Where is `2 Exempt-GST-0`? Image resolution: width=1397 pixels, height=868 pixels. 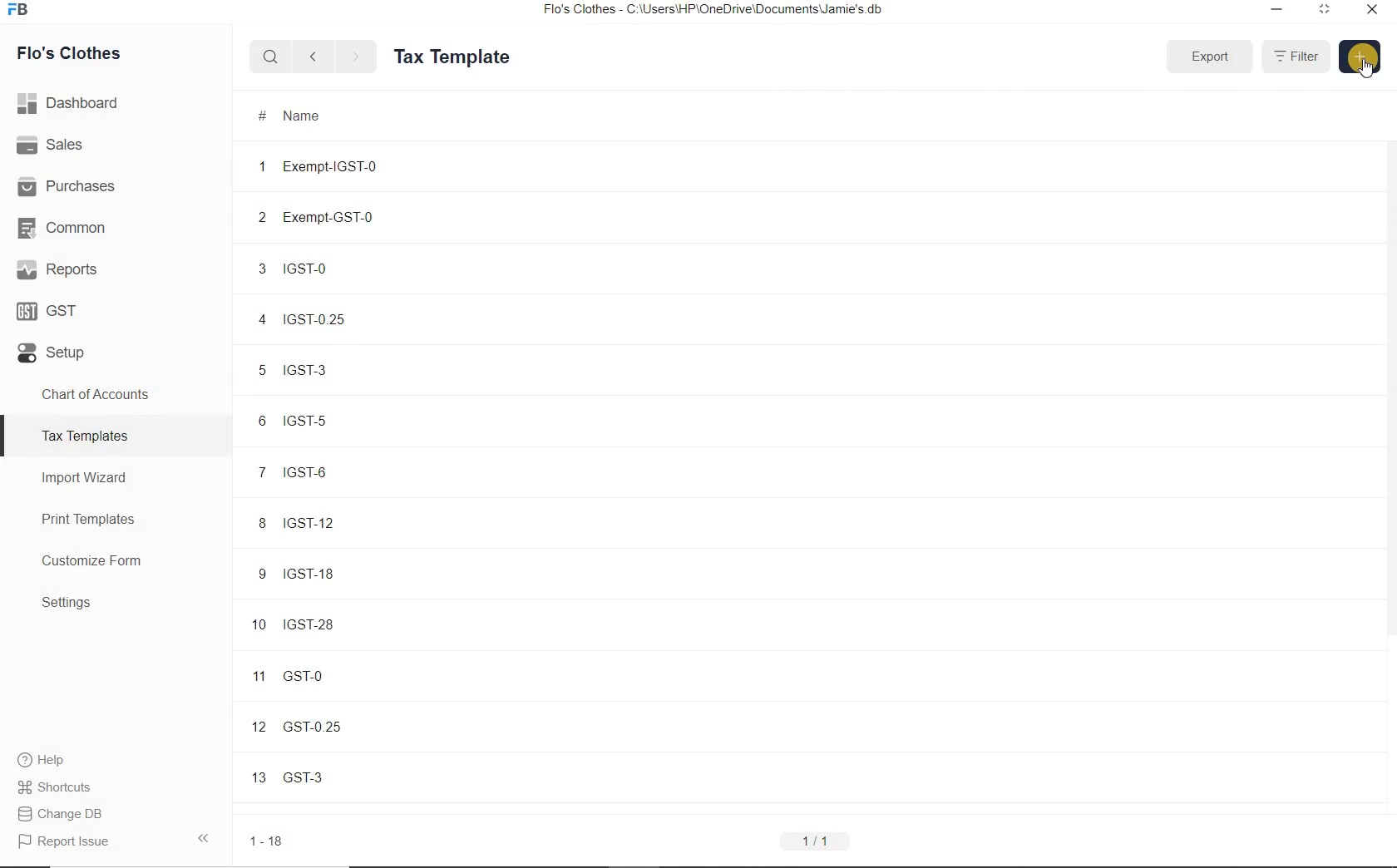
2 Exempt-GST-0 is located at coordinates (344, 217).